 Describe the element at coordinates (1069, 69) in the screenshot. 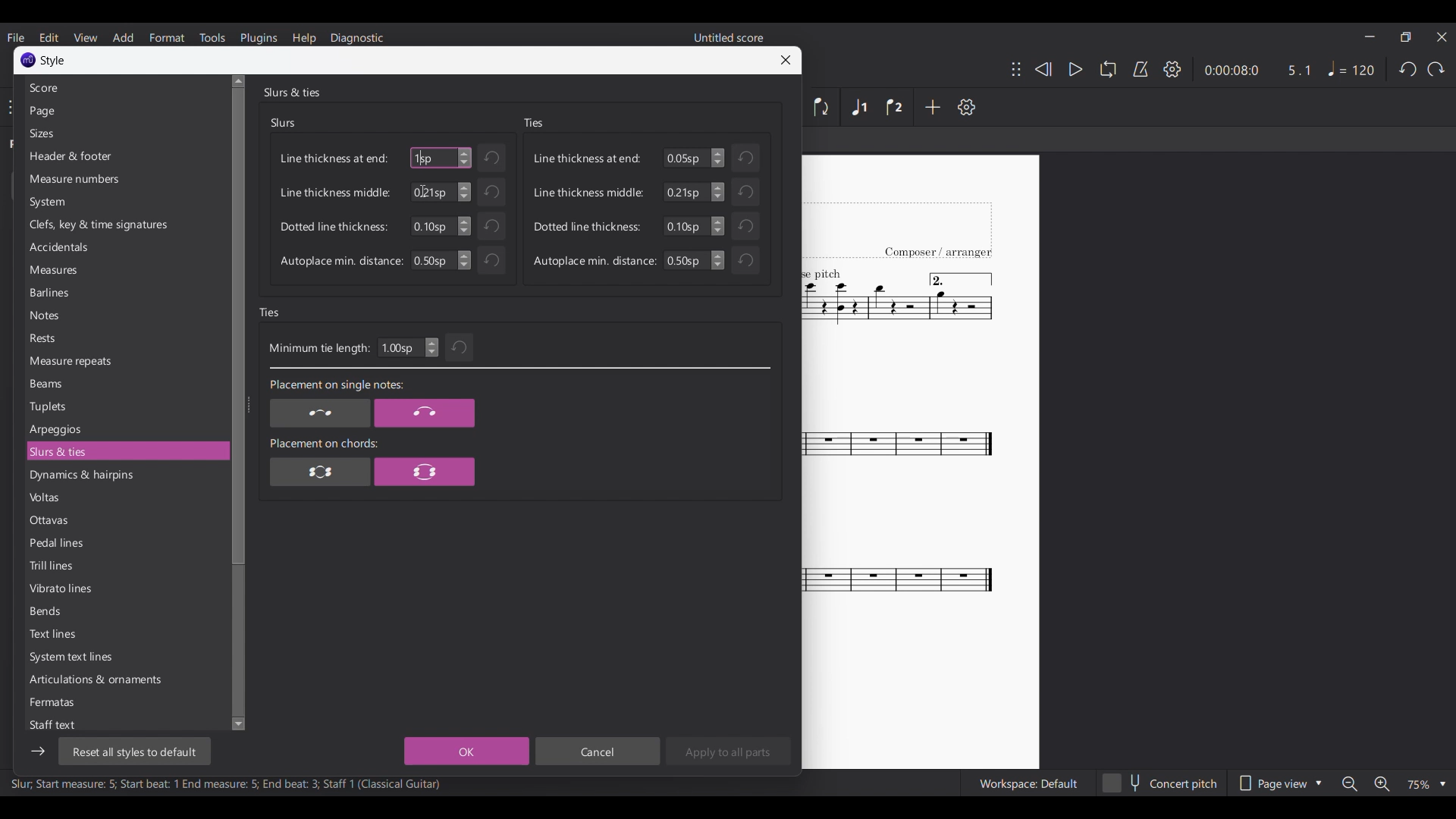

I see `Play` at that location.